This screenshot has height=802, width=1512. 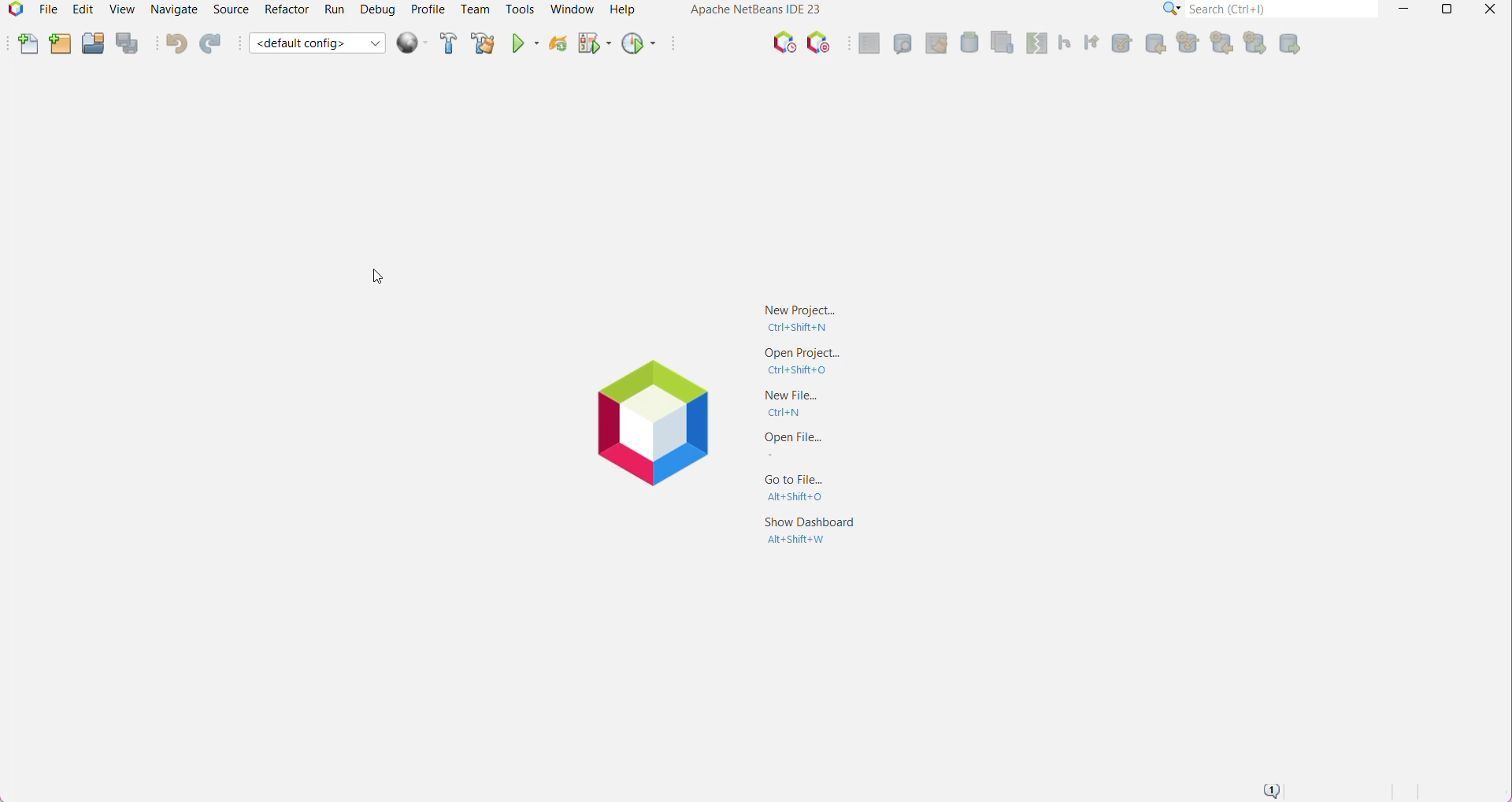 I want to click on Debug Main Project, so click(x=593, y=46).